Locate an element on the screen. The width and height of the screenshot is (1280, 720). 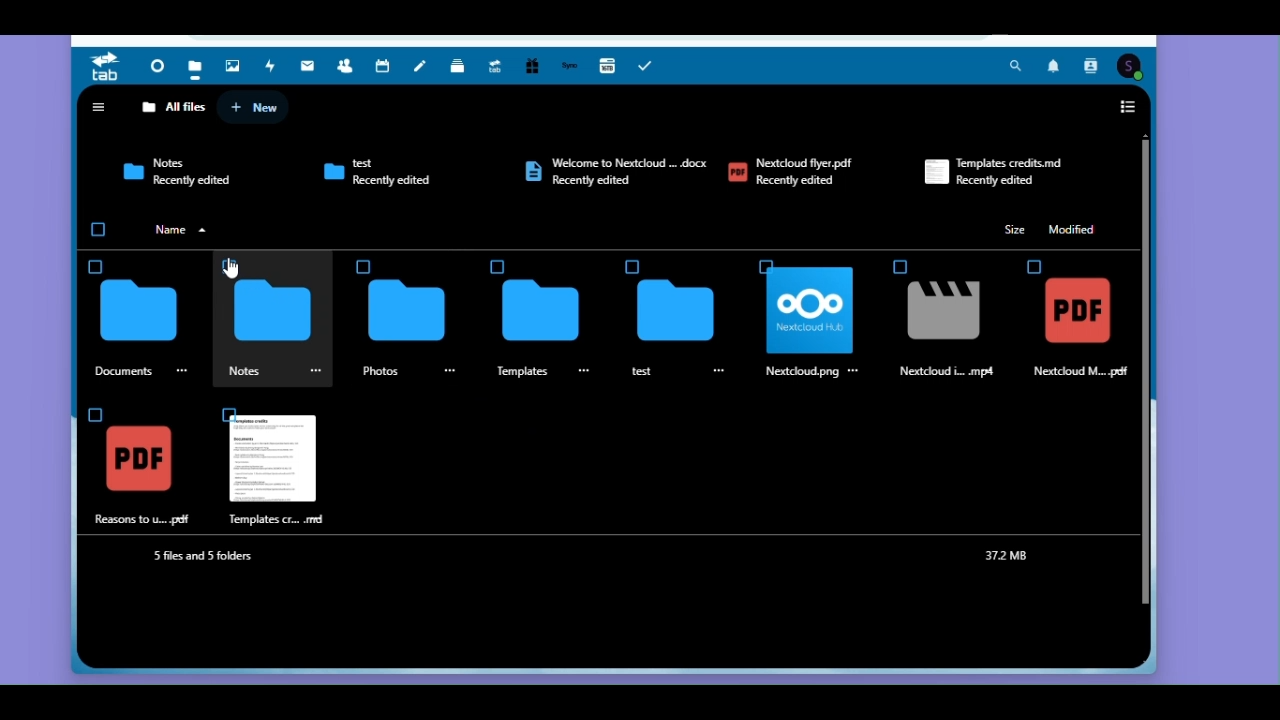
Contact search is located at coordinates (1090, 67).